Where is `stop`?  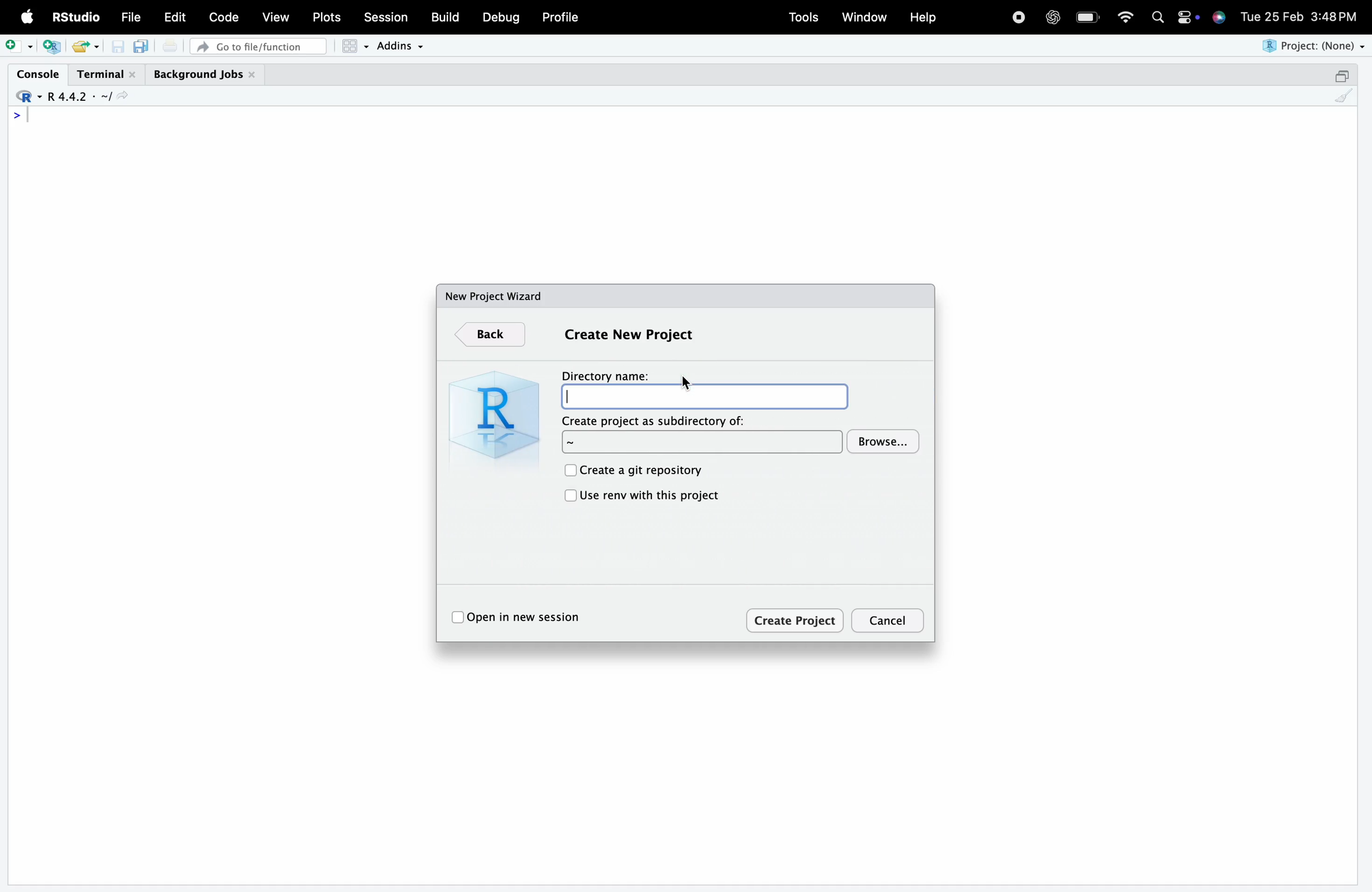
stop is located at coordinates (1018, 16).